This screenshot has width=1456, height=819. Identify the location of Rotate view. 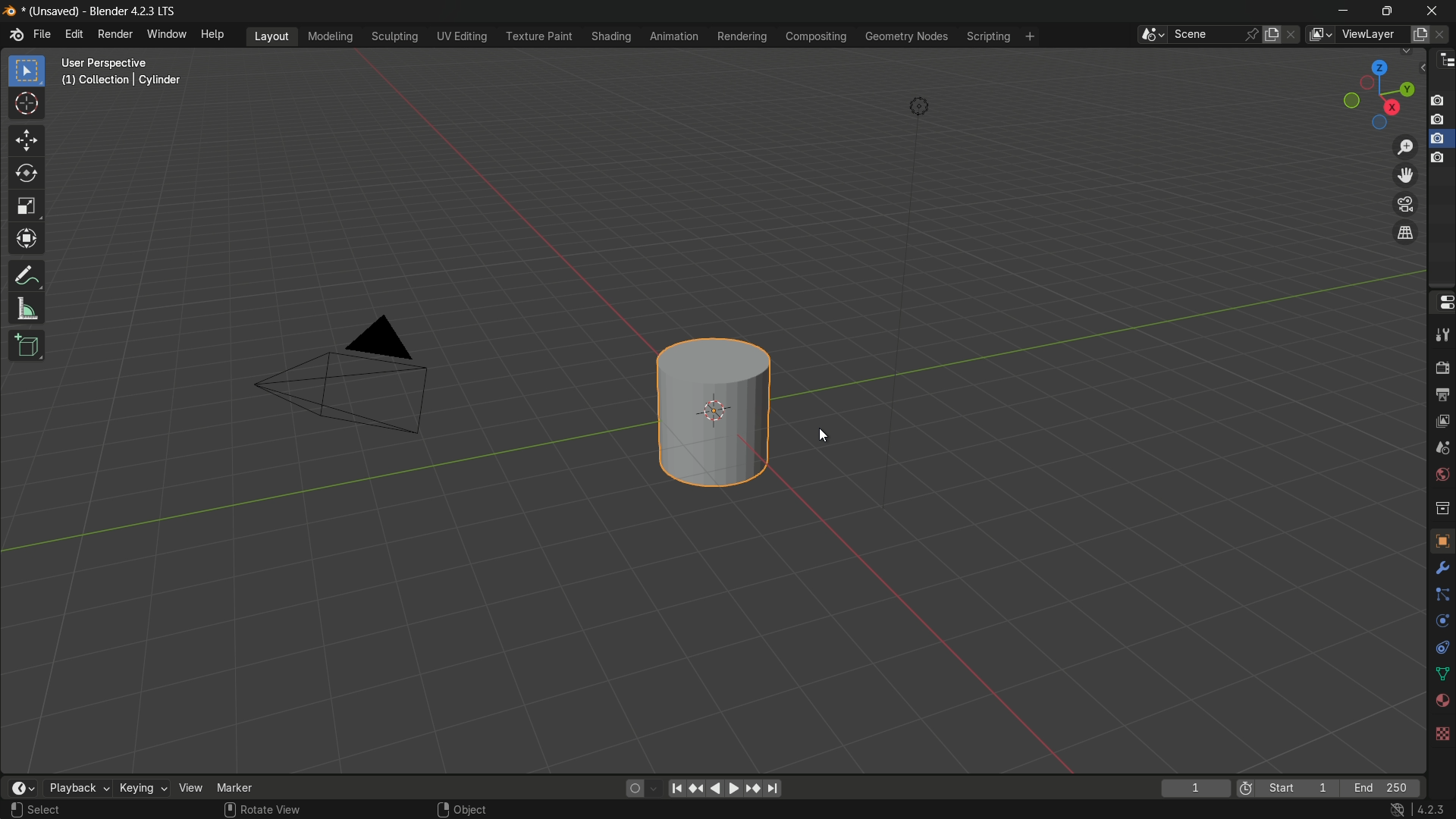
(276, 810).